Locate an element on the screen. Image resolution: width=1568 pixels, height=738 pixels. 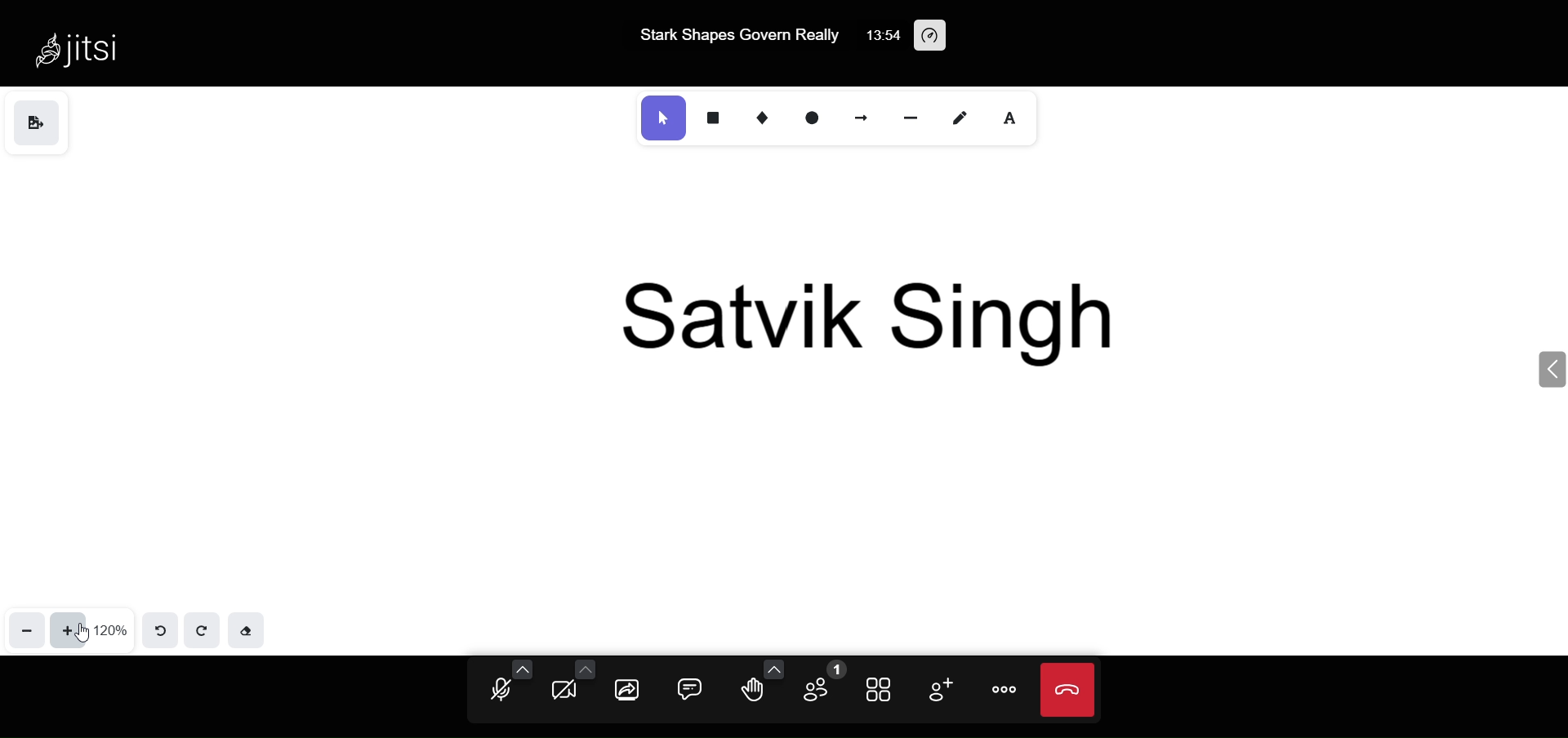
chat is located at coordinates (687, 687).